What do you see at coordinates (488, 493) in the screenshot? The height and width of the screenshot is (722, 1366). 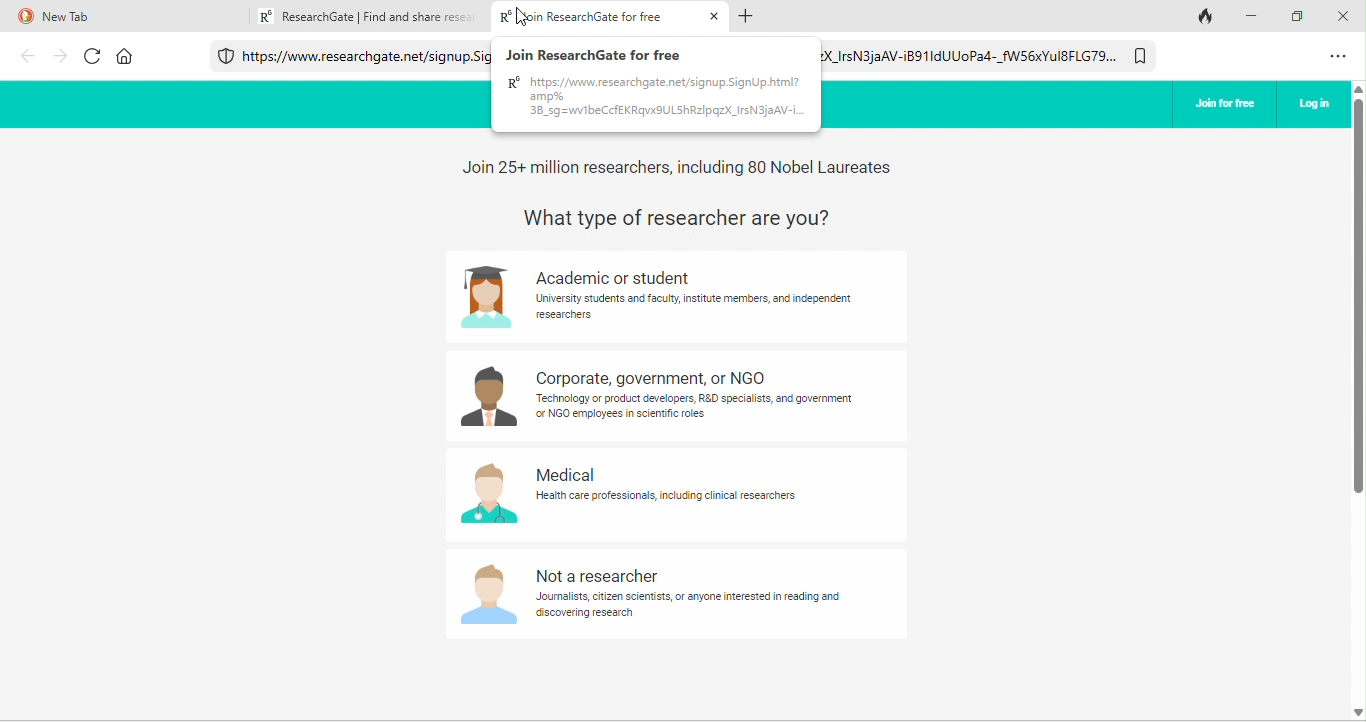 I see `Profile pic` at bounding box center [488, 493].